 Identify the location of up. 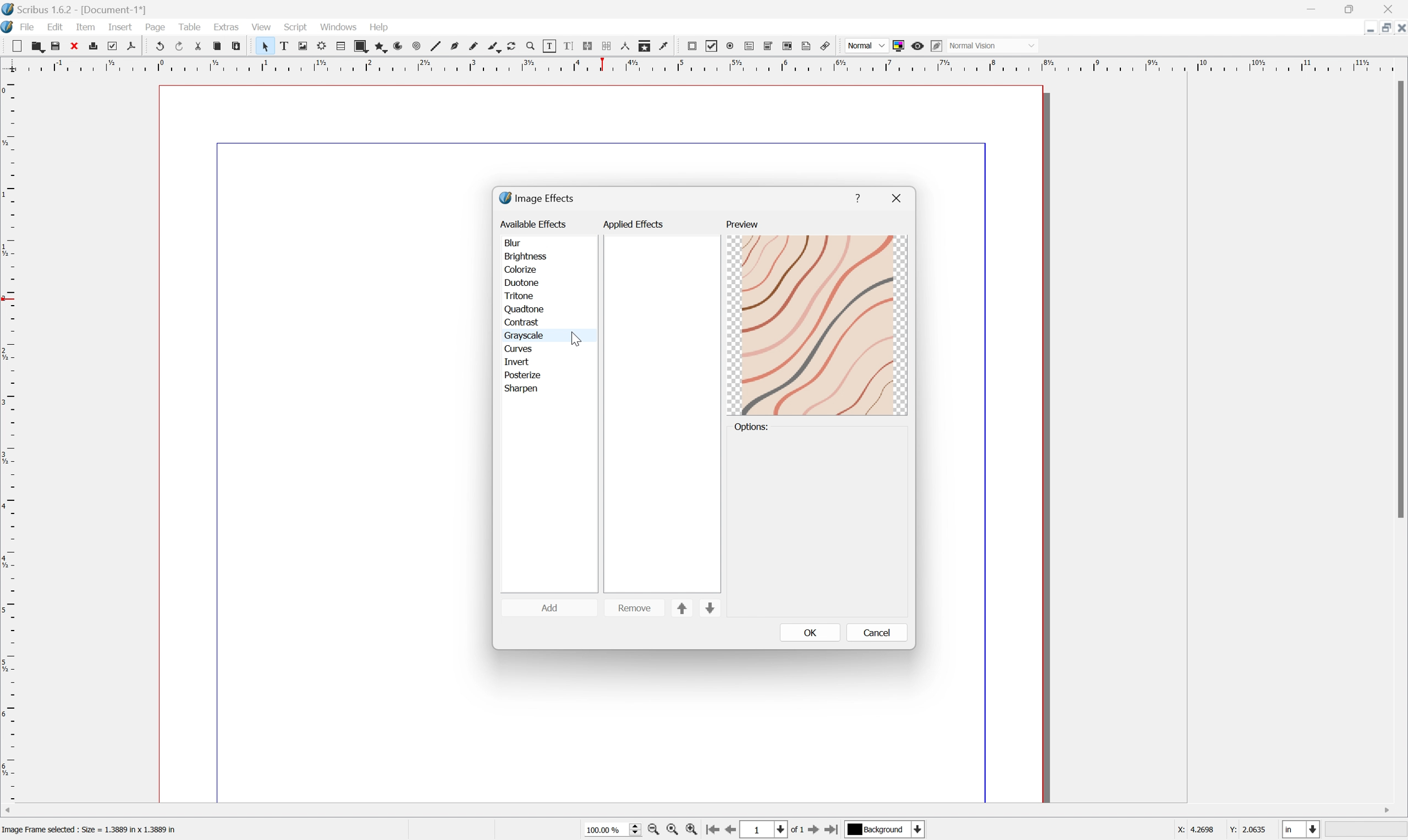
(683, 608).